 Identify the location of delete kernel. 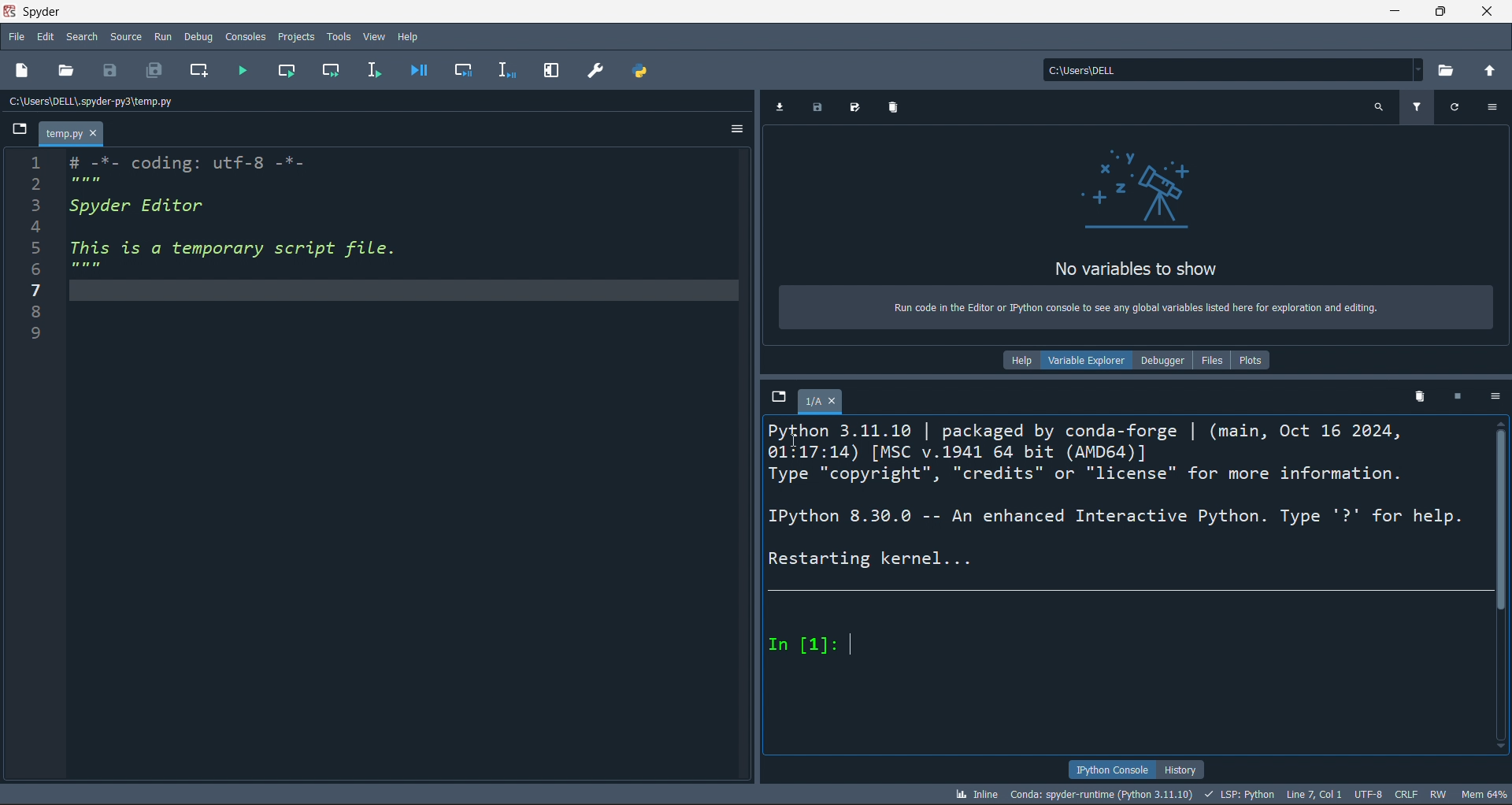
(1421, 399).